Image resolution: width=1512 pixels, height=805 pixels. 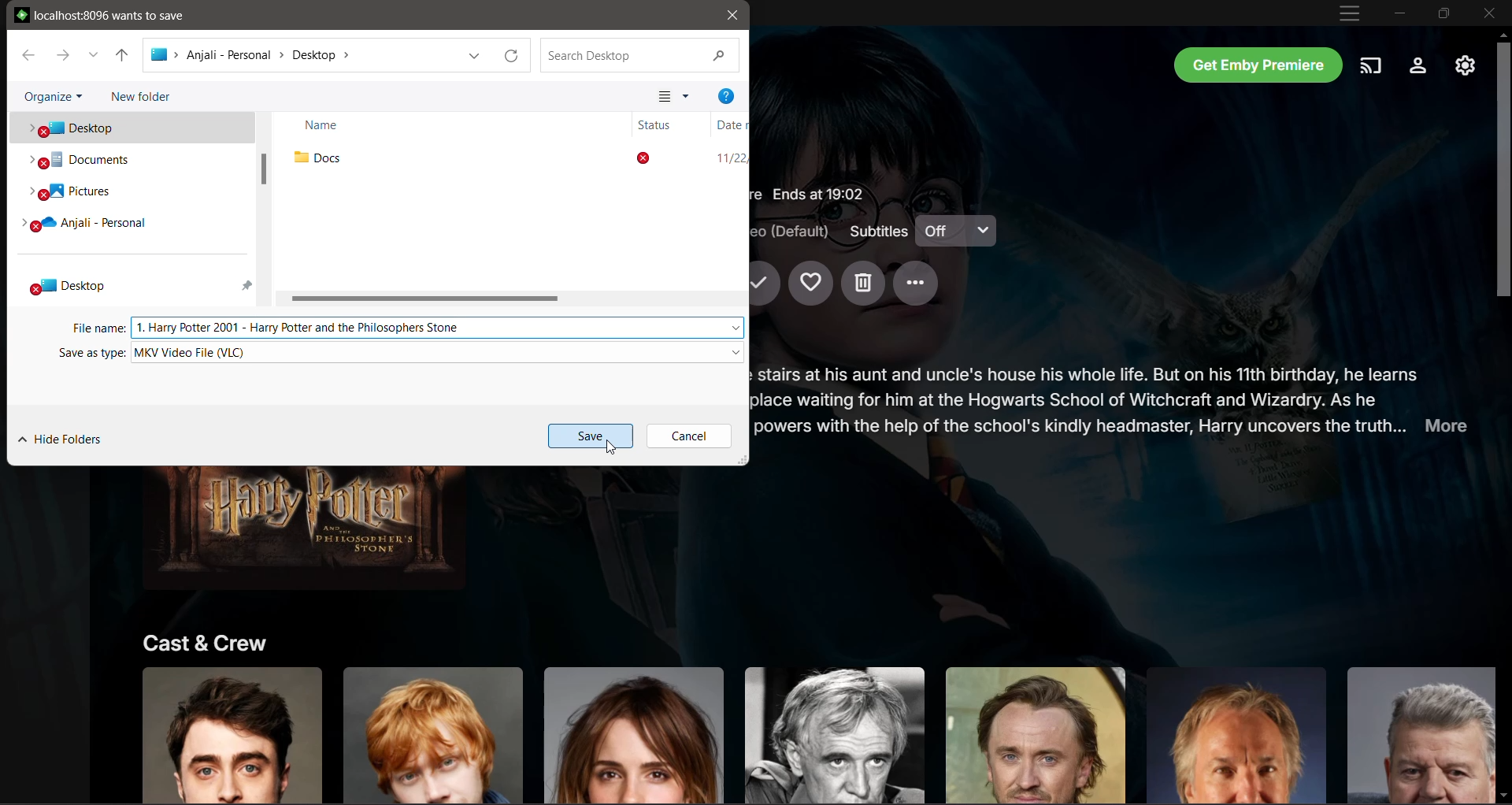 What do you see at coordinates (263, 162) in the screenshot?
I see `Vertical Scroll Bar` at bounding box center [263, 162].